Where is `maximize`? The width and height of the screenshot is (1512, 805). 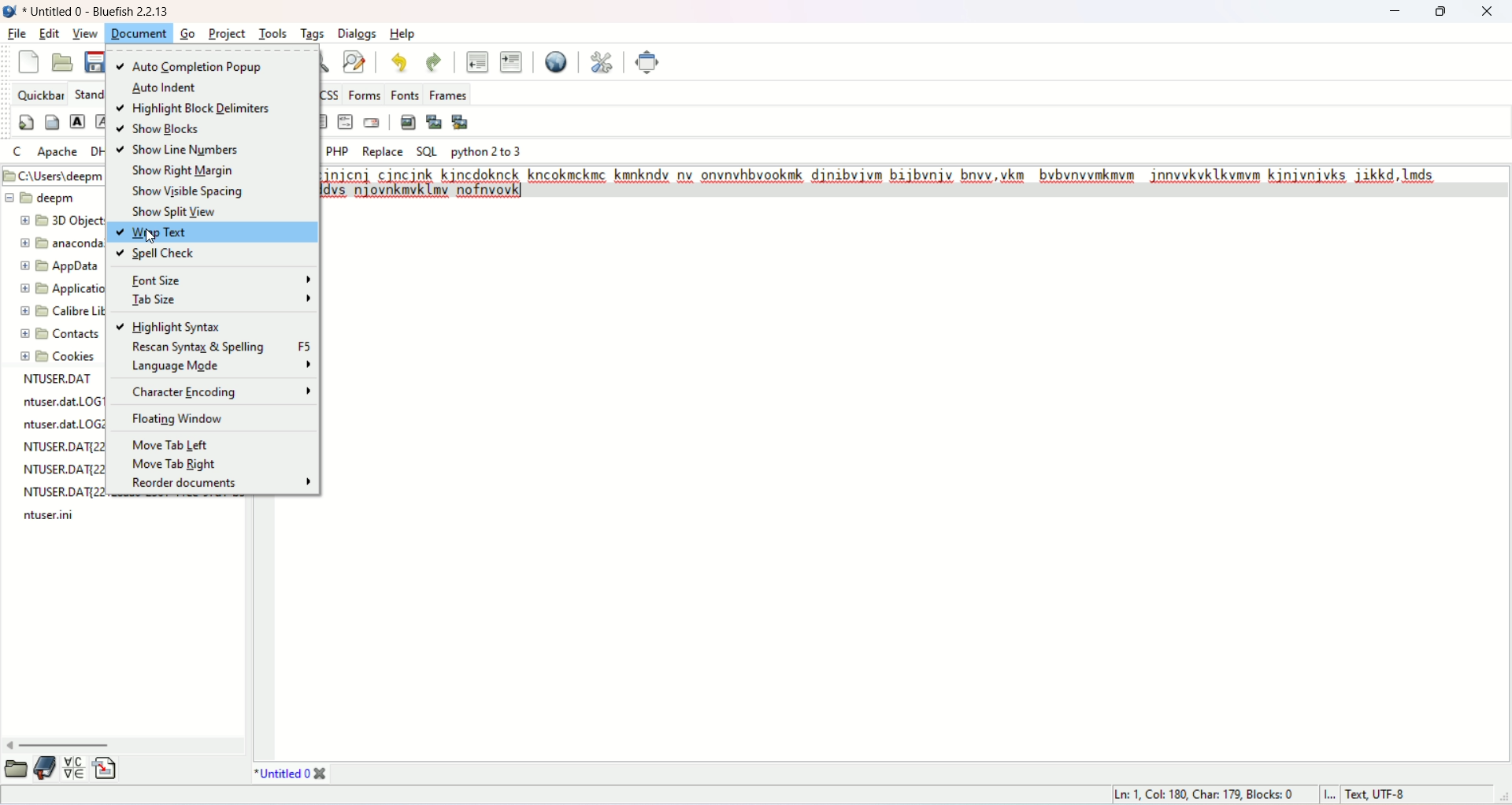
maximize is located at coordinates (1445, 11).